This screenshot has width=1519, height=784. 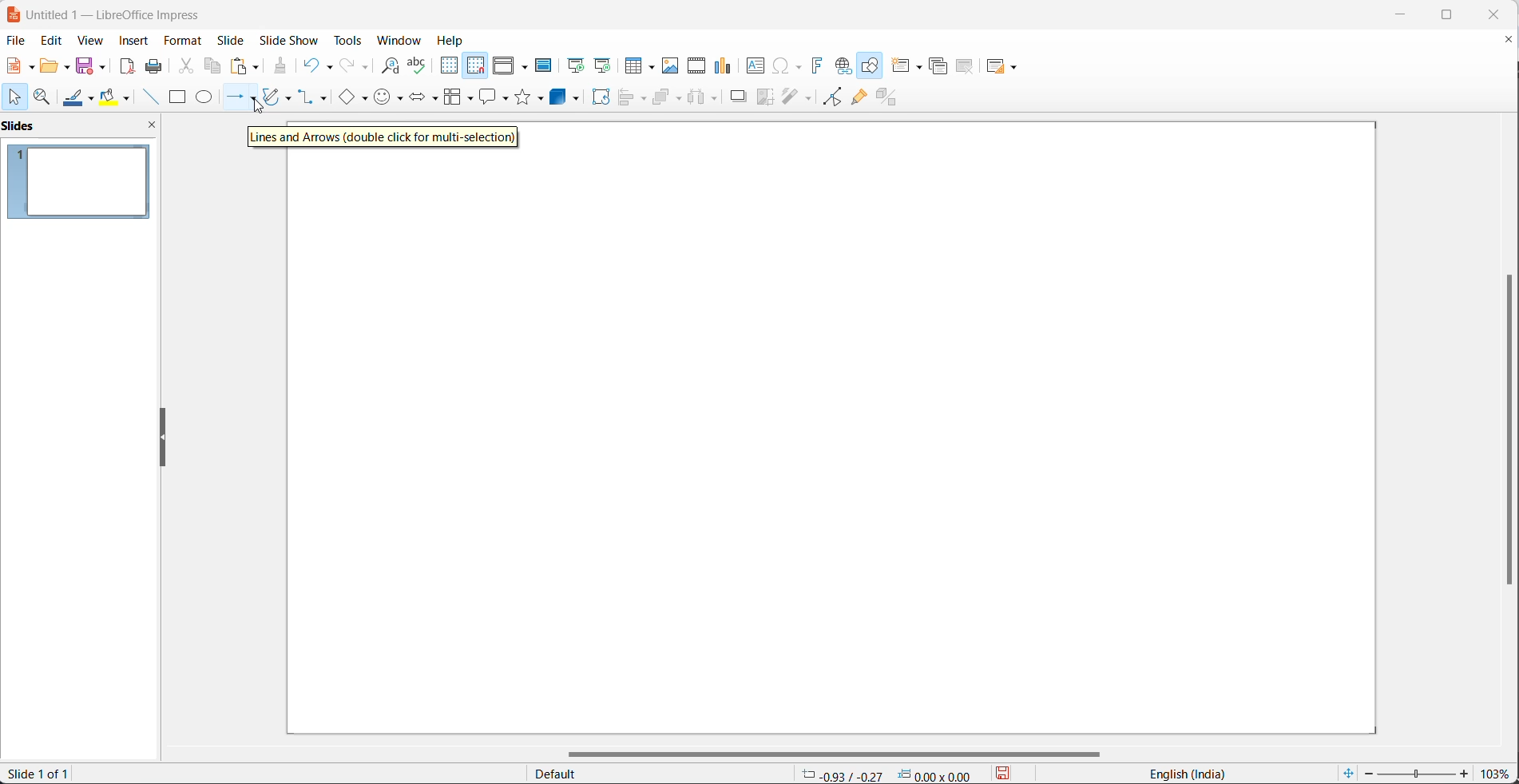 I want to click on undo, so click(x=317, y=65).